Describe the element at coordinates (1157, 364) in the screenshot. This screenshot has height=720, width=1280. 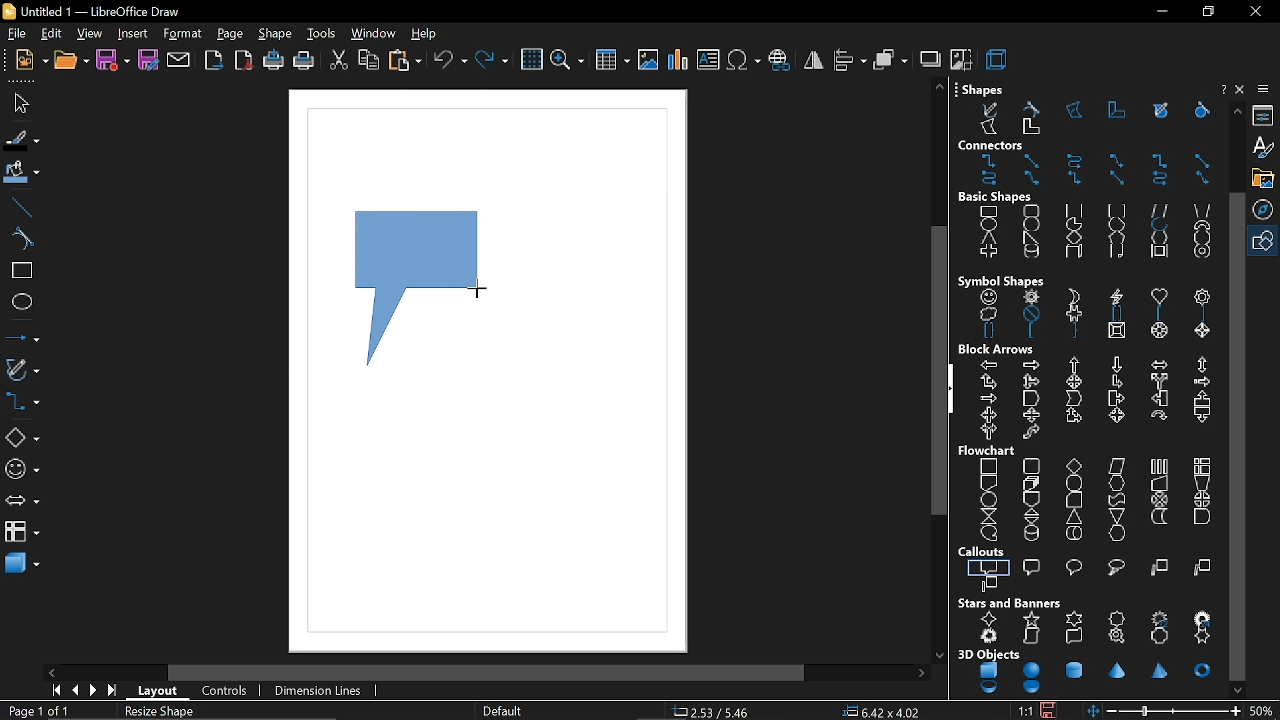
I see `left and right arrow` at that location.